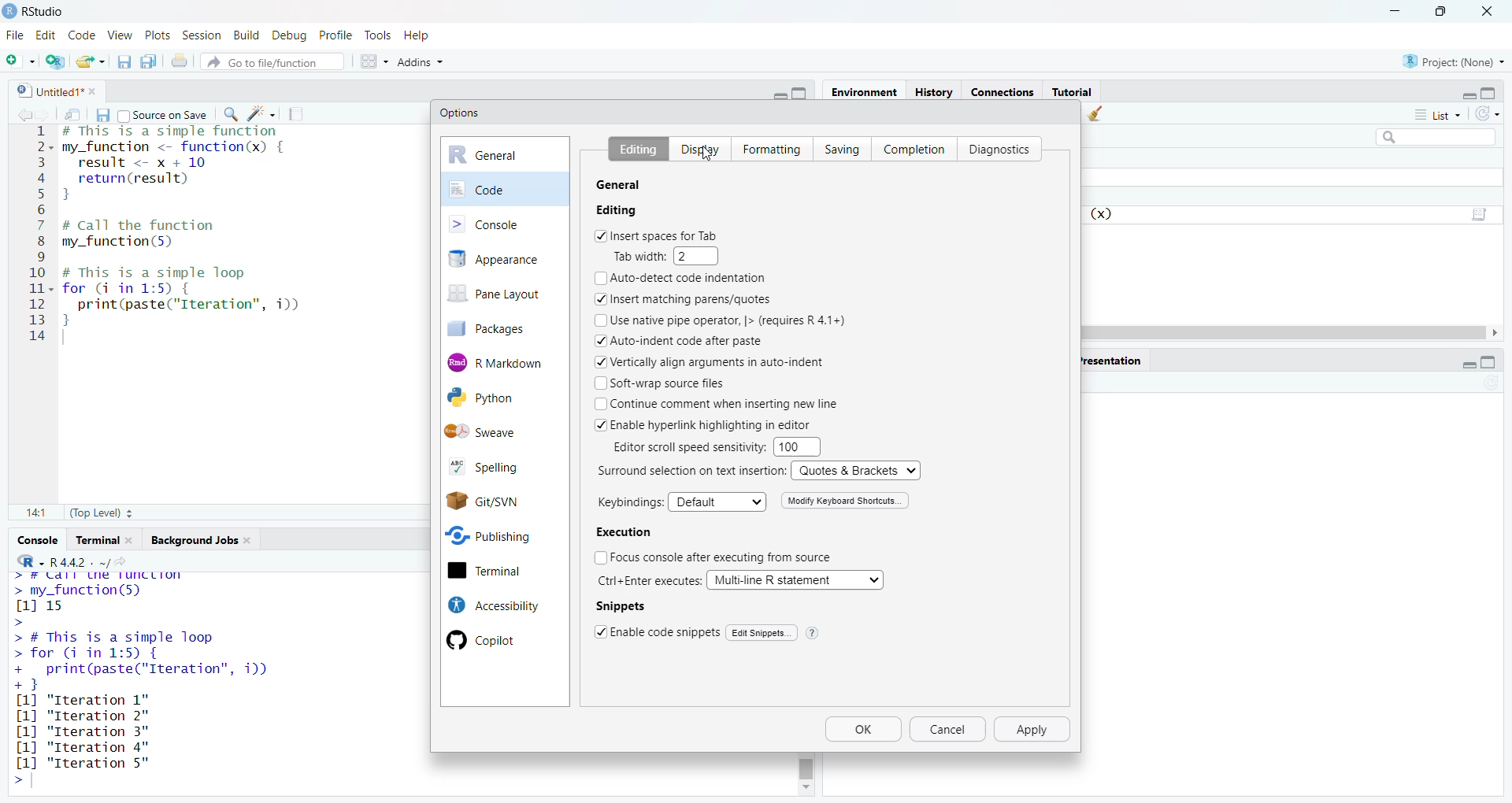 The width and height of the screenshot is (1512, 803). What do you see at coordinates (631, 184) in the screenshot?
I see `R Sessions` at bounding box center [631, 184].